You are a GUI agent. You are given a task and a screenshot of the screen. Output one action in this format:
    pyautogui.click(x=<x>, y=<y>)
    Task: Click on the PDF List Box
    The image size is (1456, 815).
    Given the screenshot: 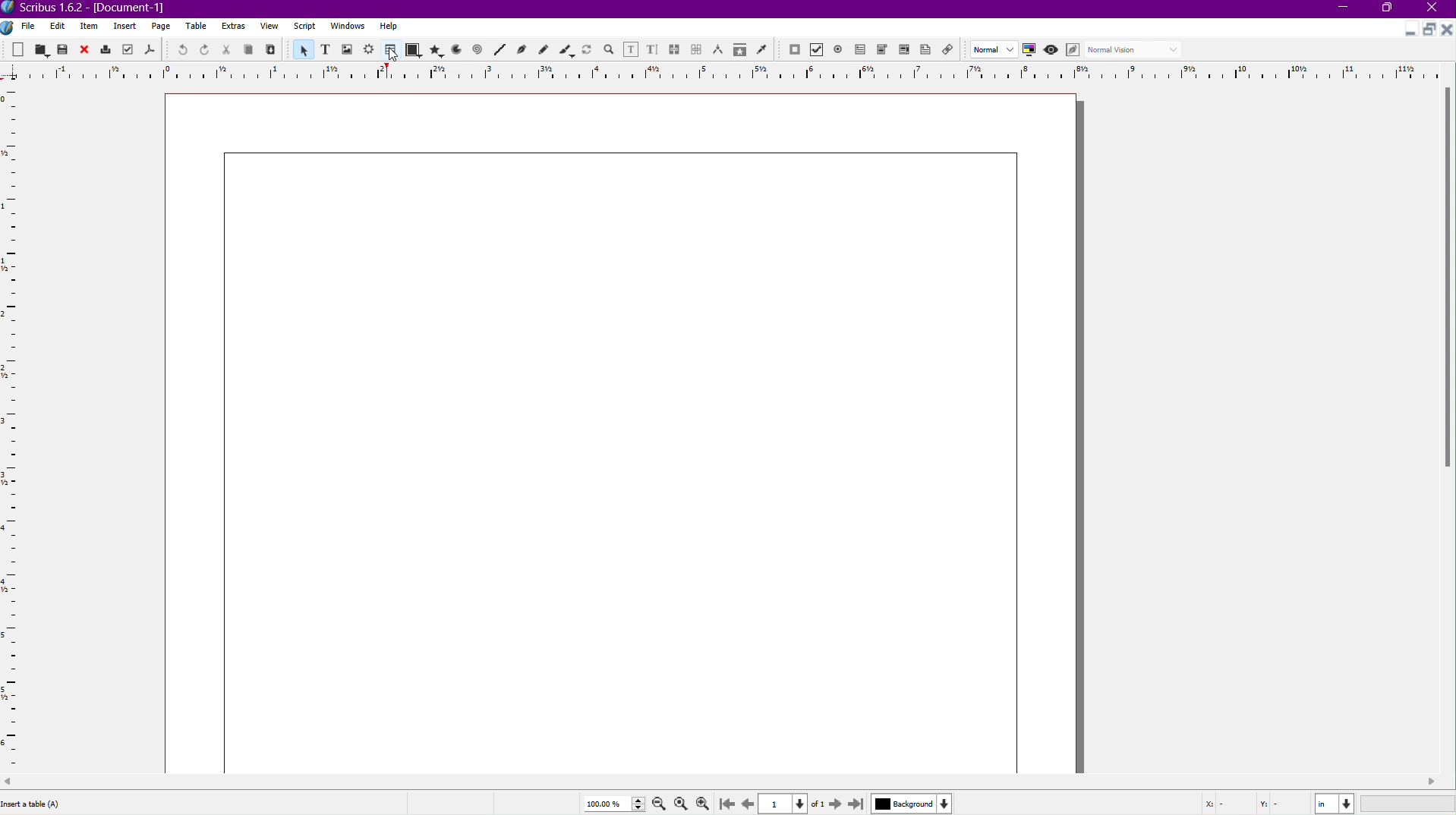 What is the action you would take?
    pyautogui.click(x=903, y=52)
    